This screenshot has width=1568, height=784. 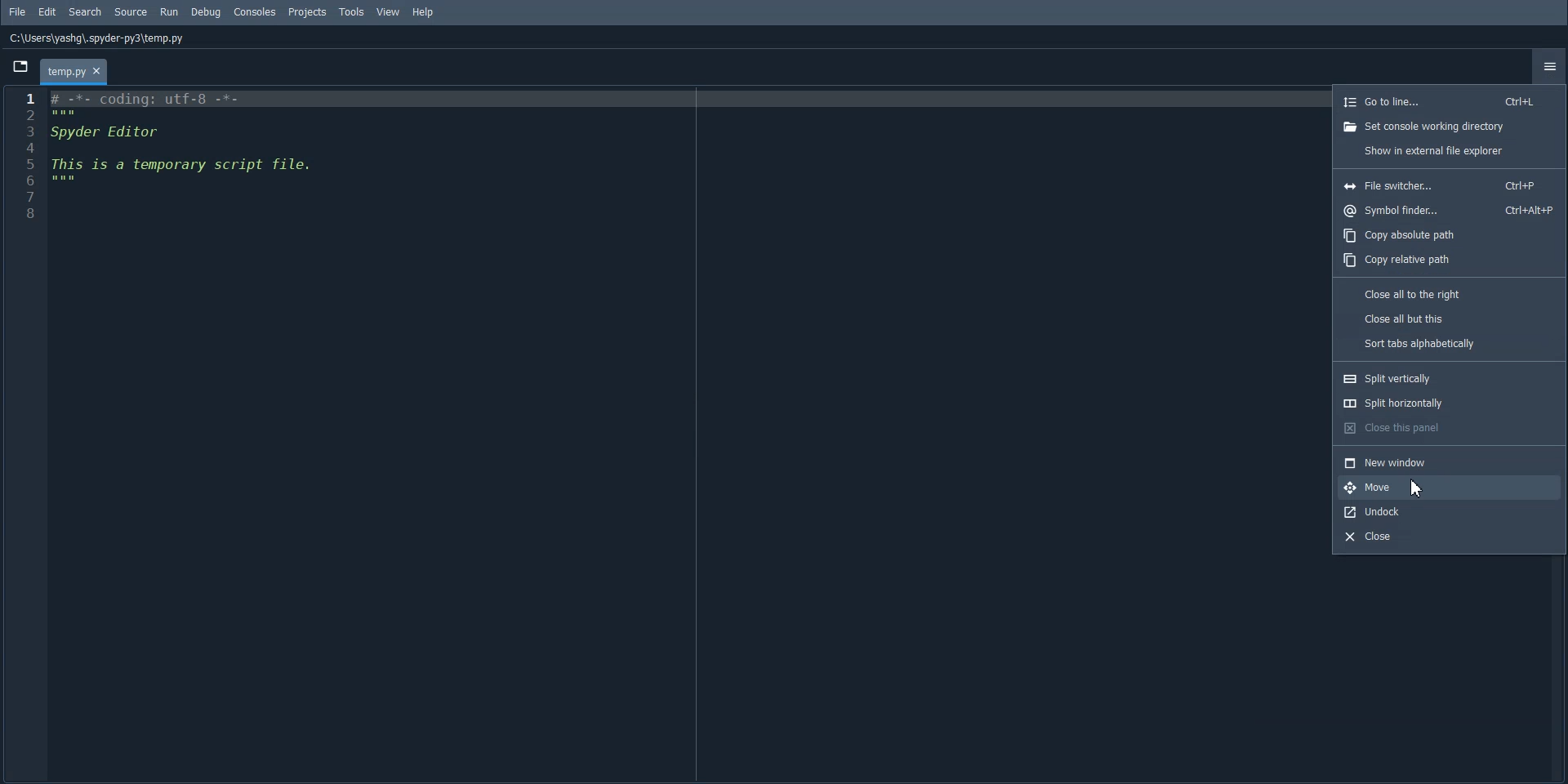 What do you see at coordinates (1448, 427) in the screenshot?
I see `Close this panel` at bounding box center [1448, 427].